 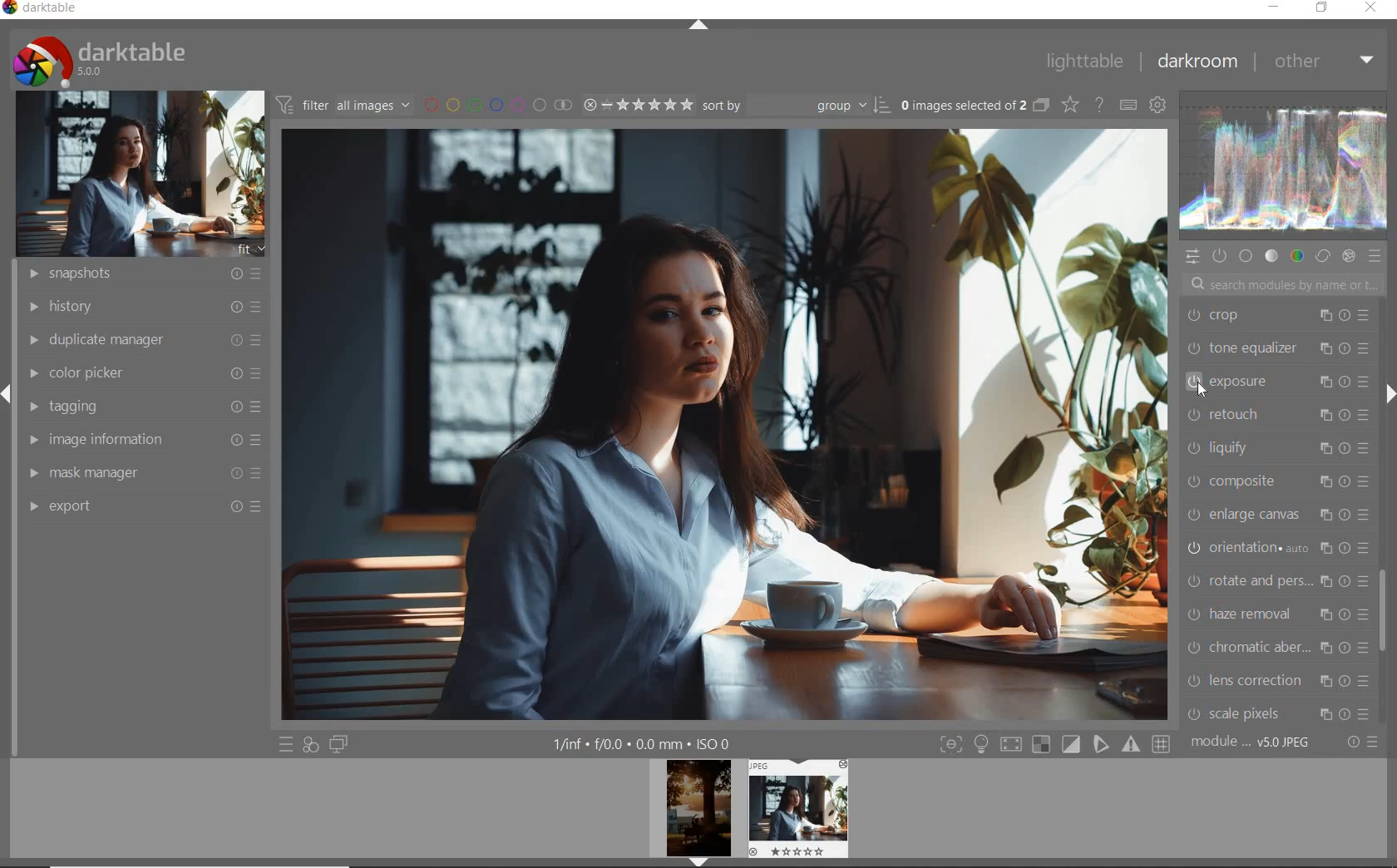 I want to click on SELECTED  IMAGE RANGE RATING, so click(x=637, y=105).